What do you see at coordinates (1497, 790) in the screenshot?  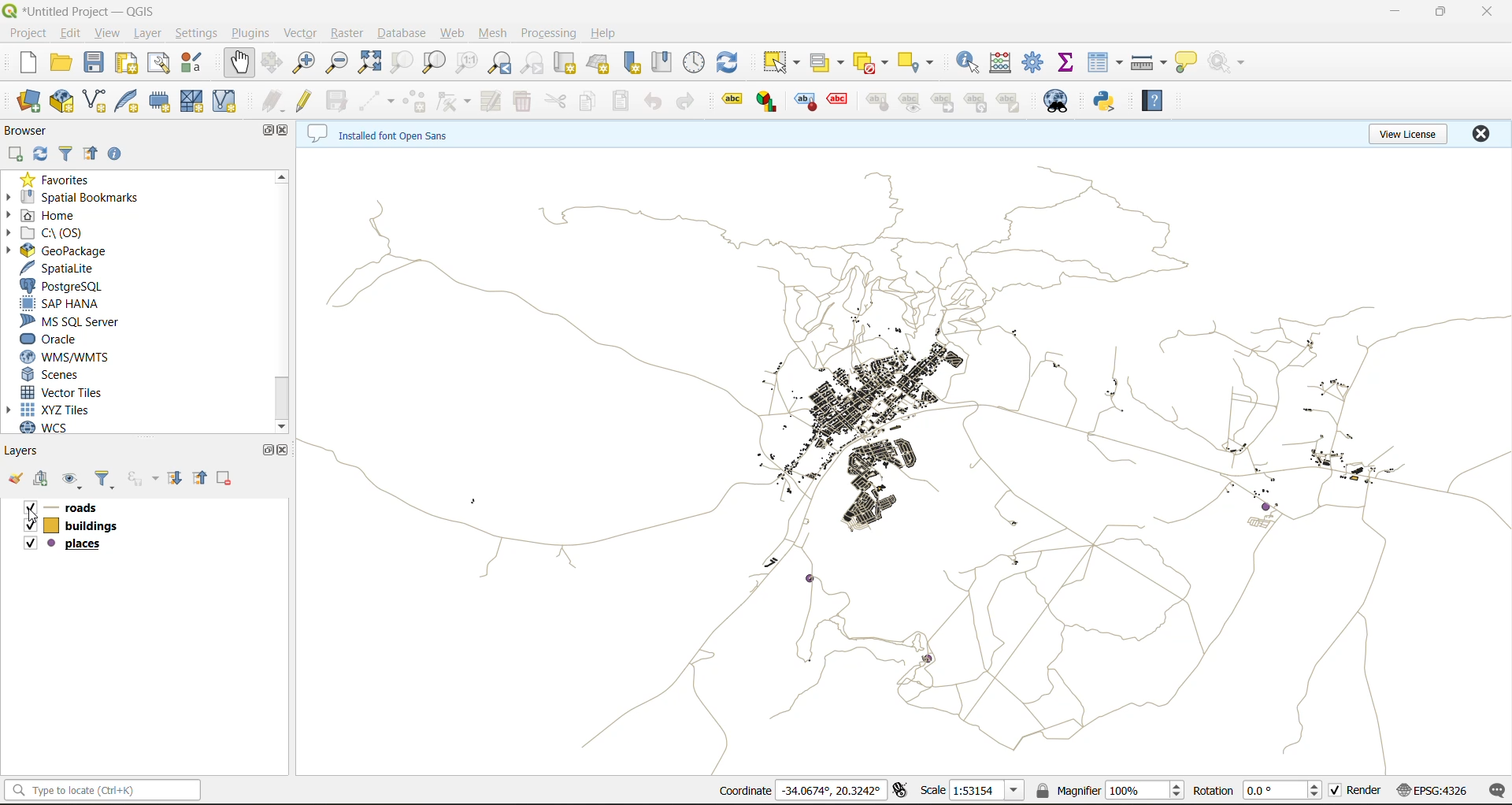 I see `log messages` at bounding box center [1497, 790].